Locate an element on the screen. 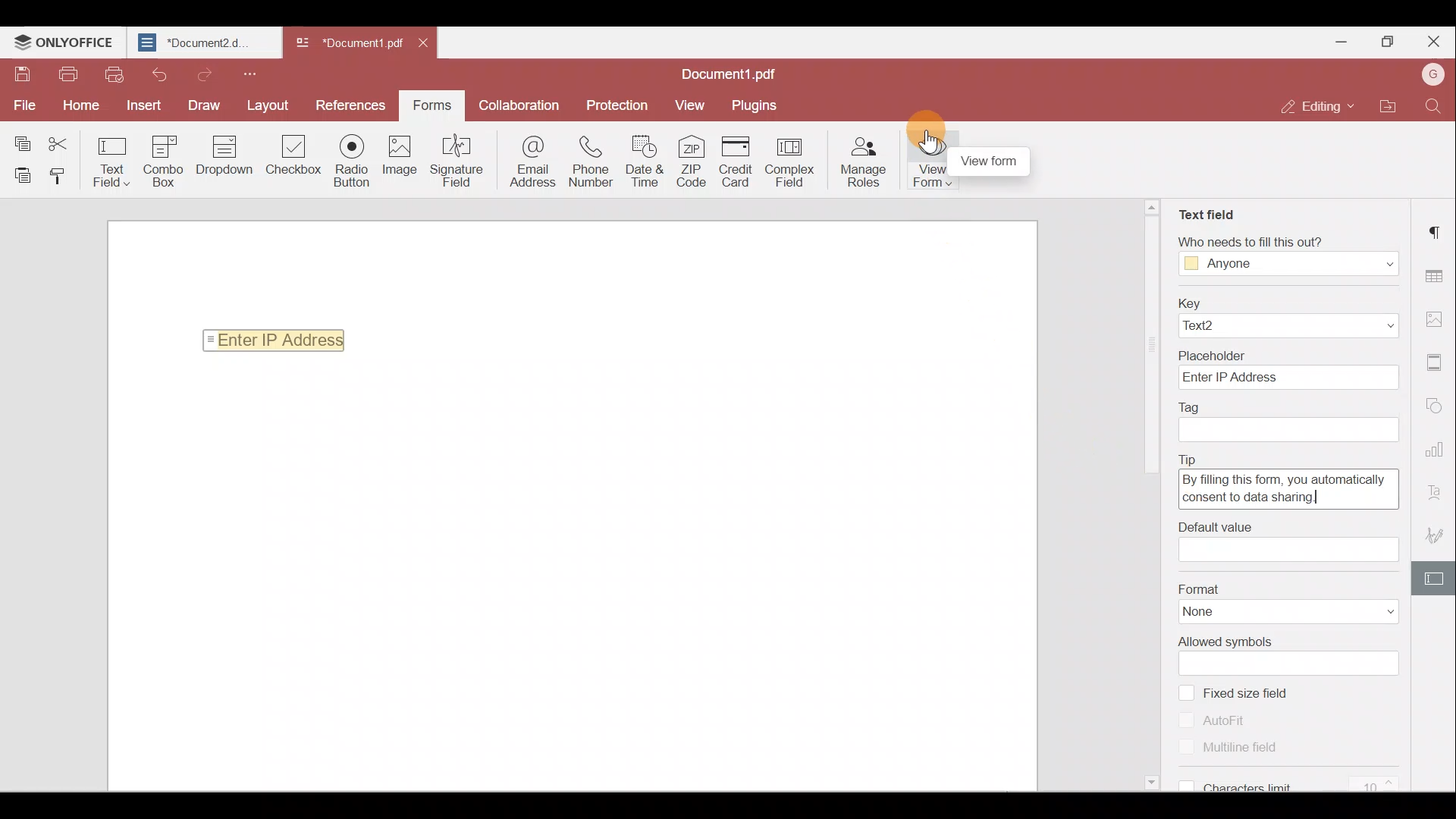 This screenshot has width=1456, height=819. Allowed symbols is located at coordinates (1225, 642).